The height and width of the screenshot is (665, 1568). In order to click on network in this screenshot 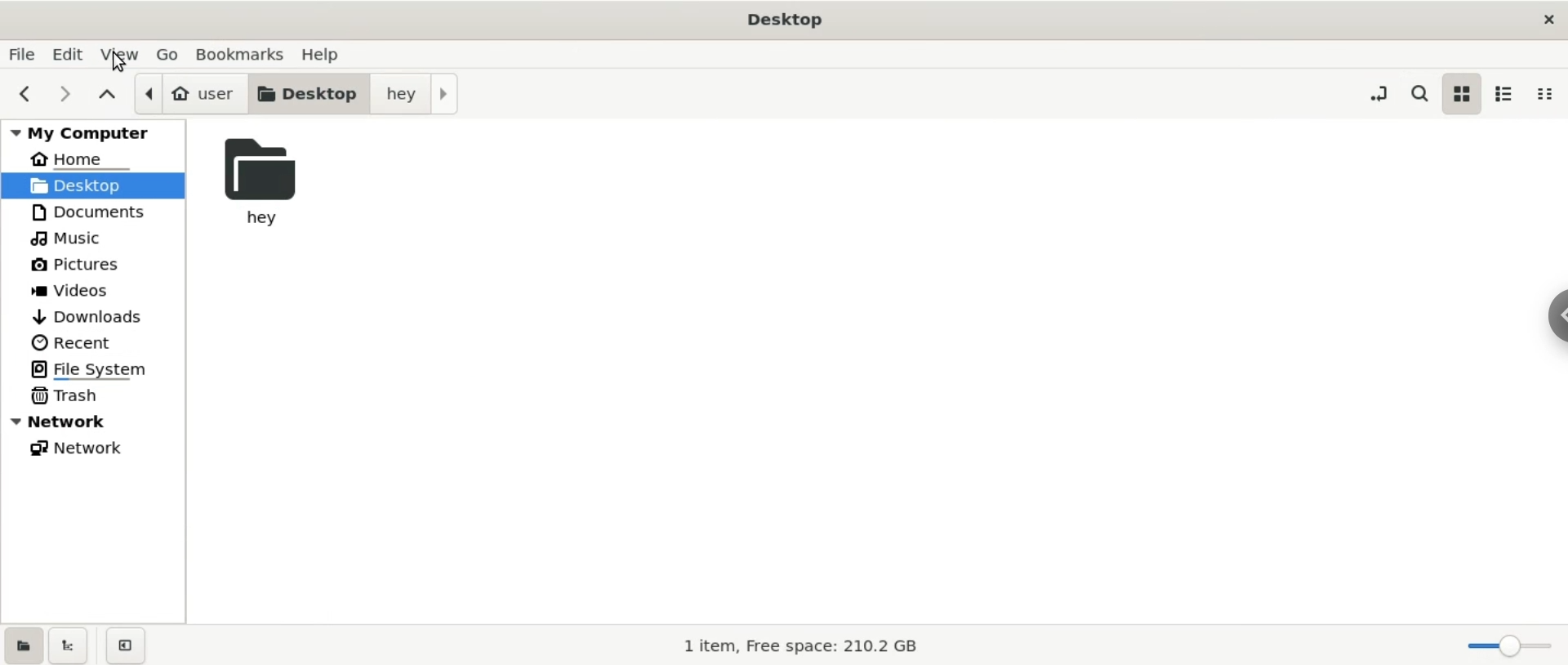, I will do `click(96, 422)`.